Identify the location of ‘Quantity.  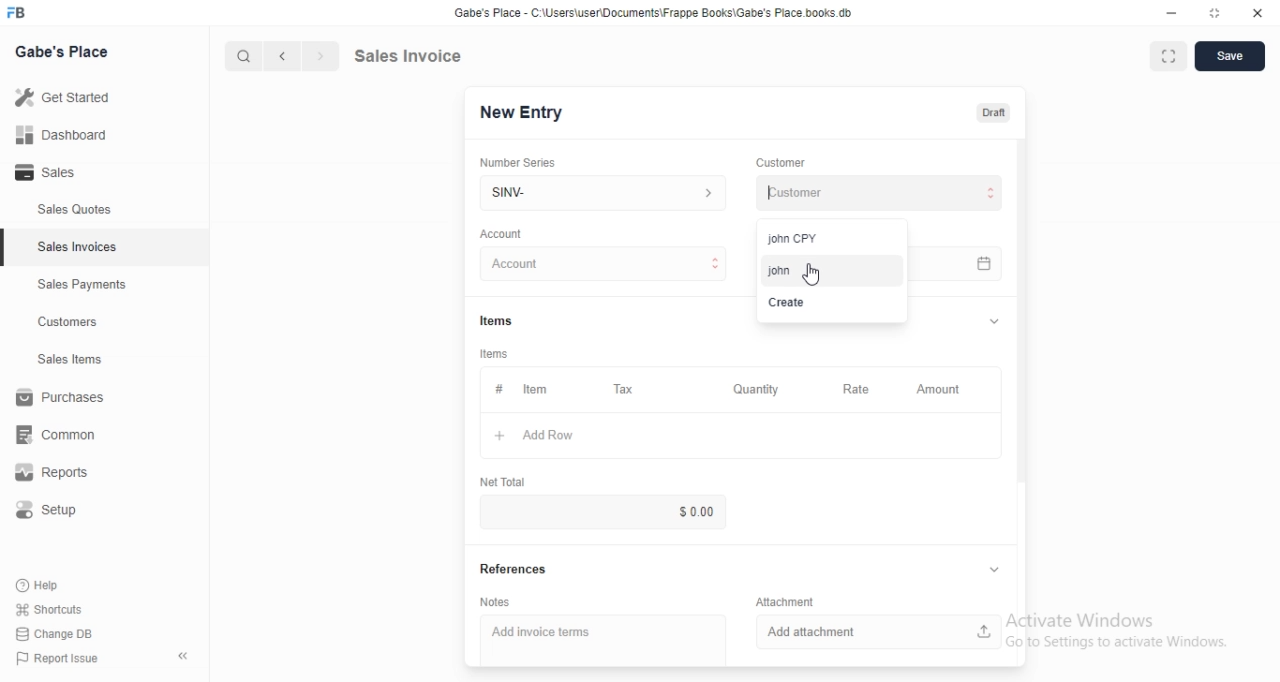
(755, 389).